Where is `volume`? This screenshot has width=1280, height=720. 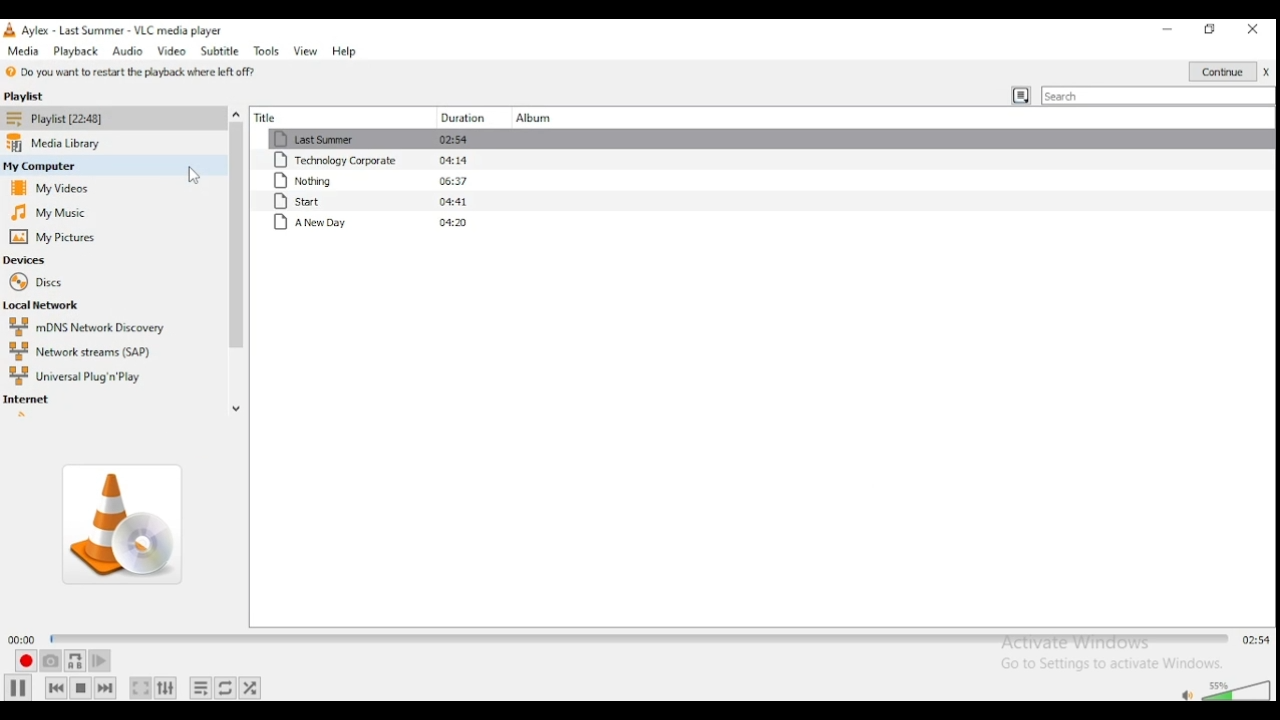 volume is located at coordinates (1238, 691).